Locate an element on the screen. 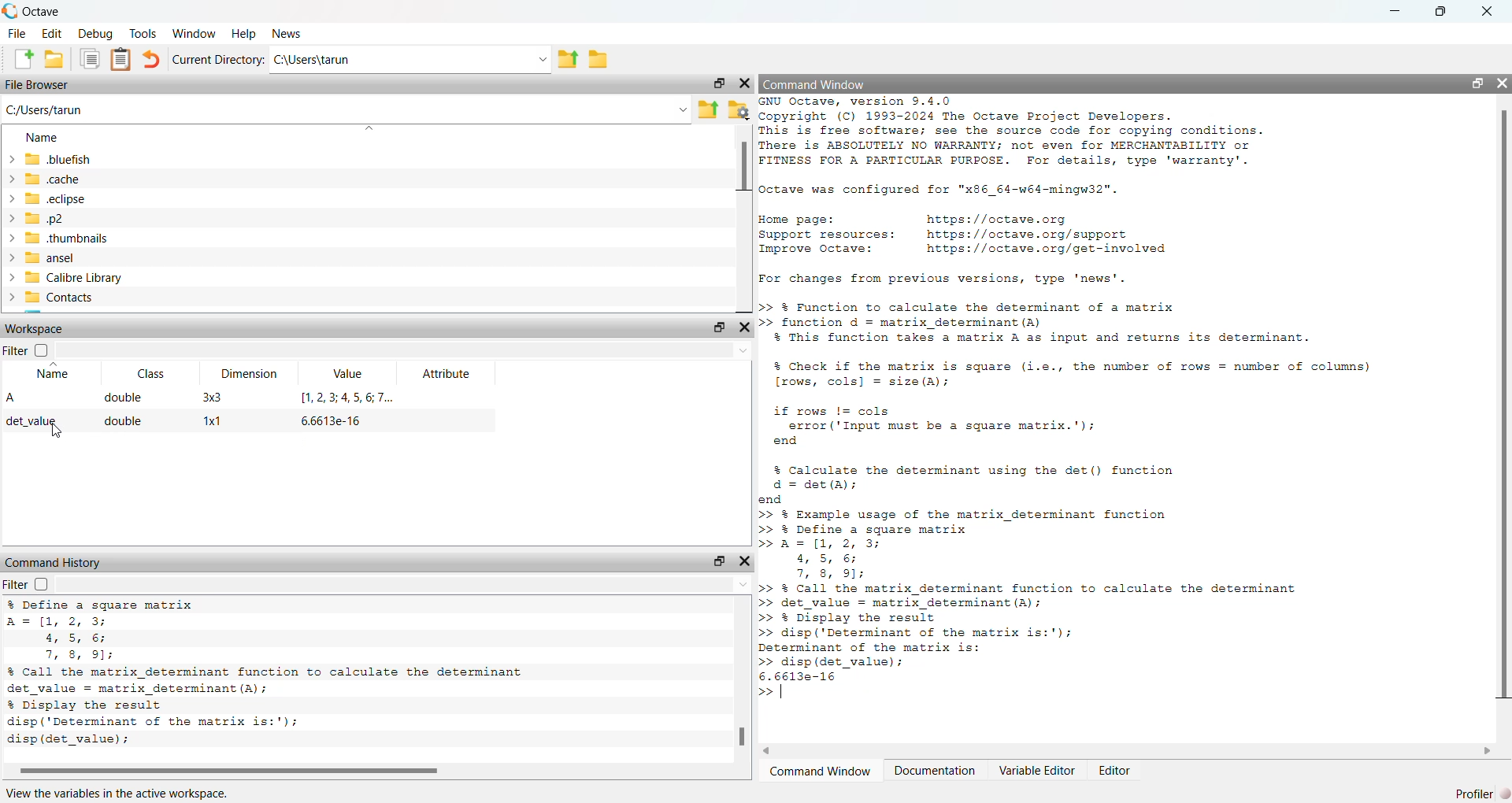 Image resolution: width=1512 pixels, height=803 pixels. command history is located at coordinates (58, 564).